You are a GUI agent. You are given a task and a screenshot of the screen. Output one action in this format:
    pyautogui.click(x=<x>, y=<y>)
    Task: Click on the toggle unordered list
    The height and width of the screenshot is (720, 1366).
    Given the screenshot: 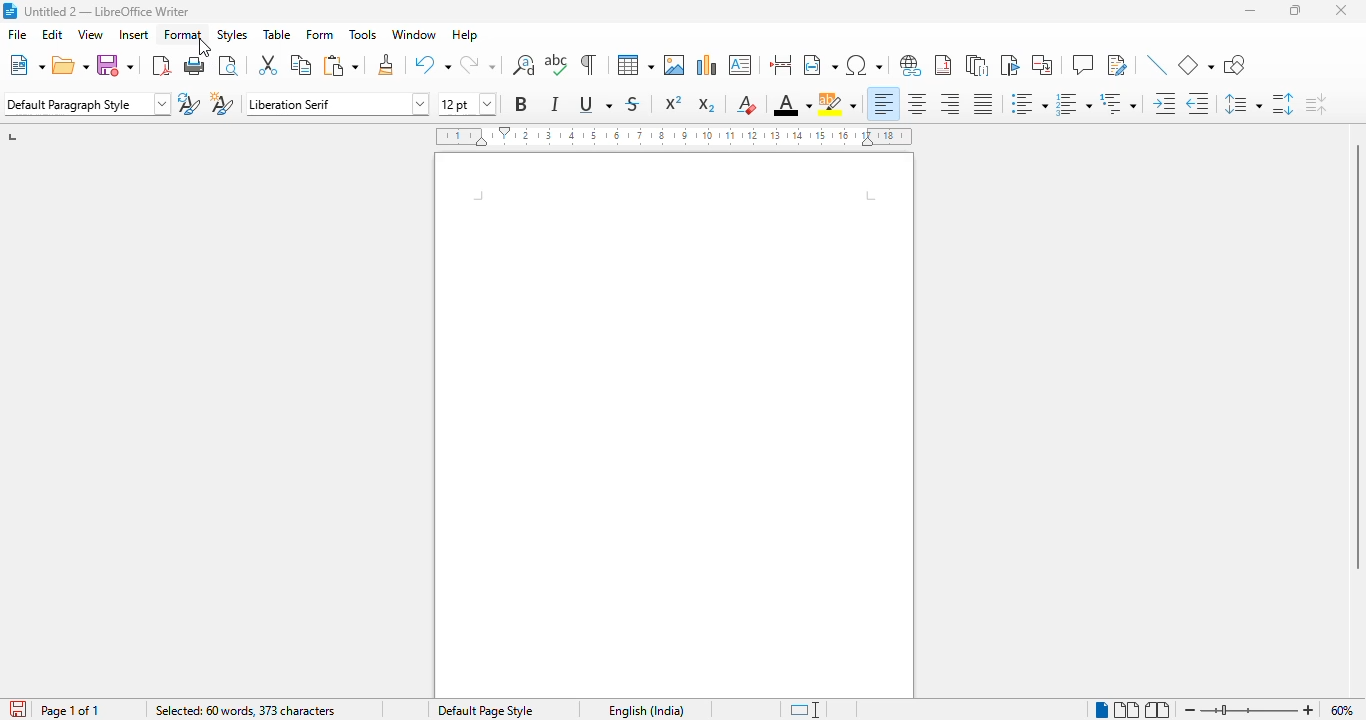 What is the action you would take?
    pyautogui.click(x=1029, y=103)
    